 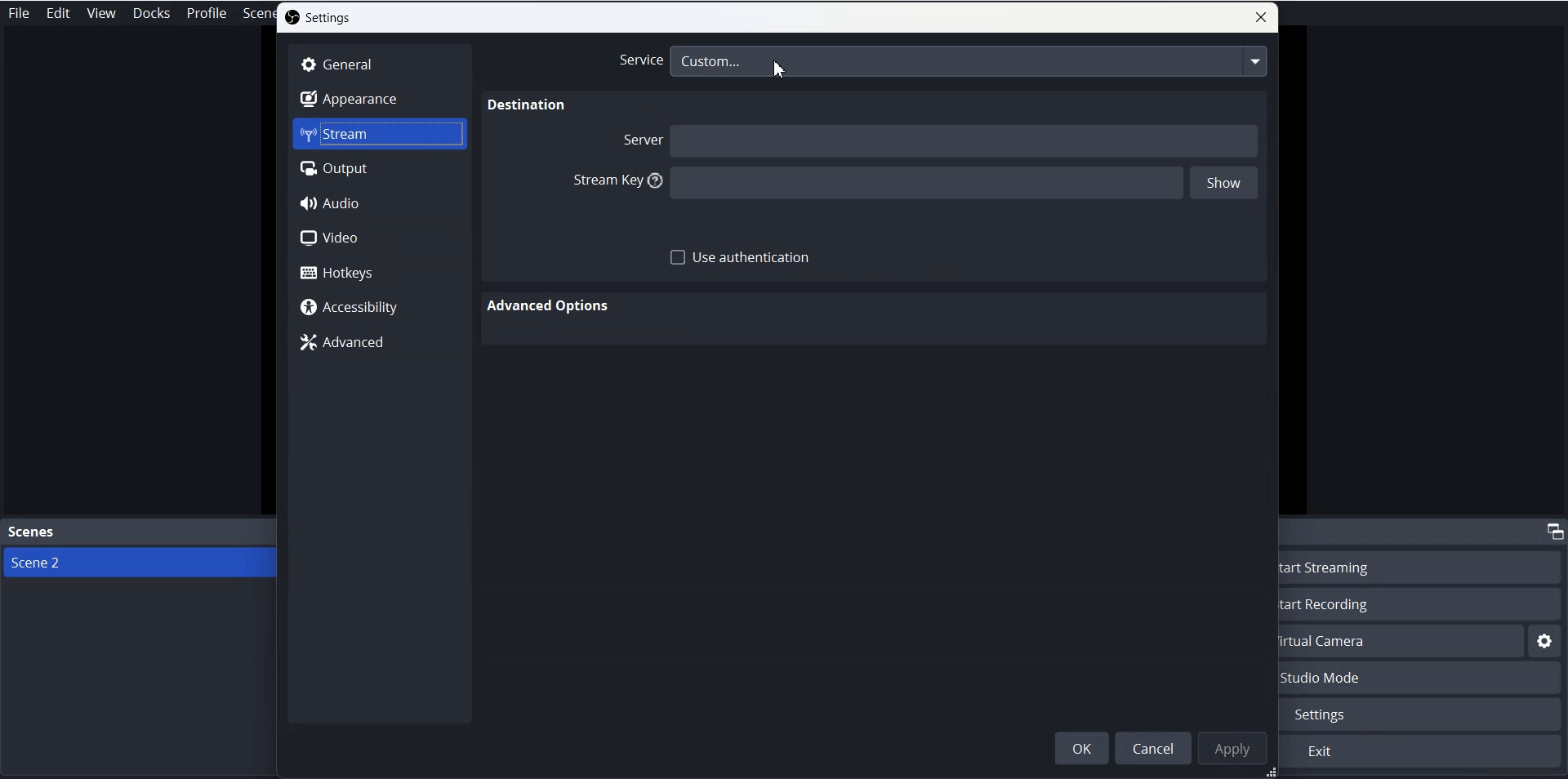 I want to click on Settings, so click(x=1424, y=714).